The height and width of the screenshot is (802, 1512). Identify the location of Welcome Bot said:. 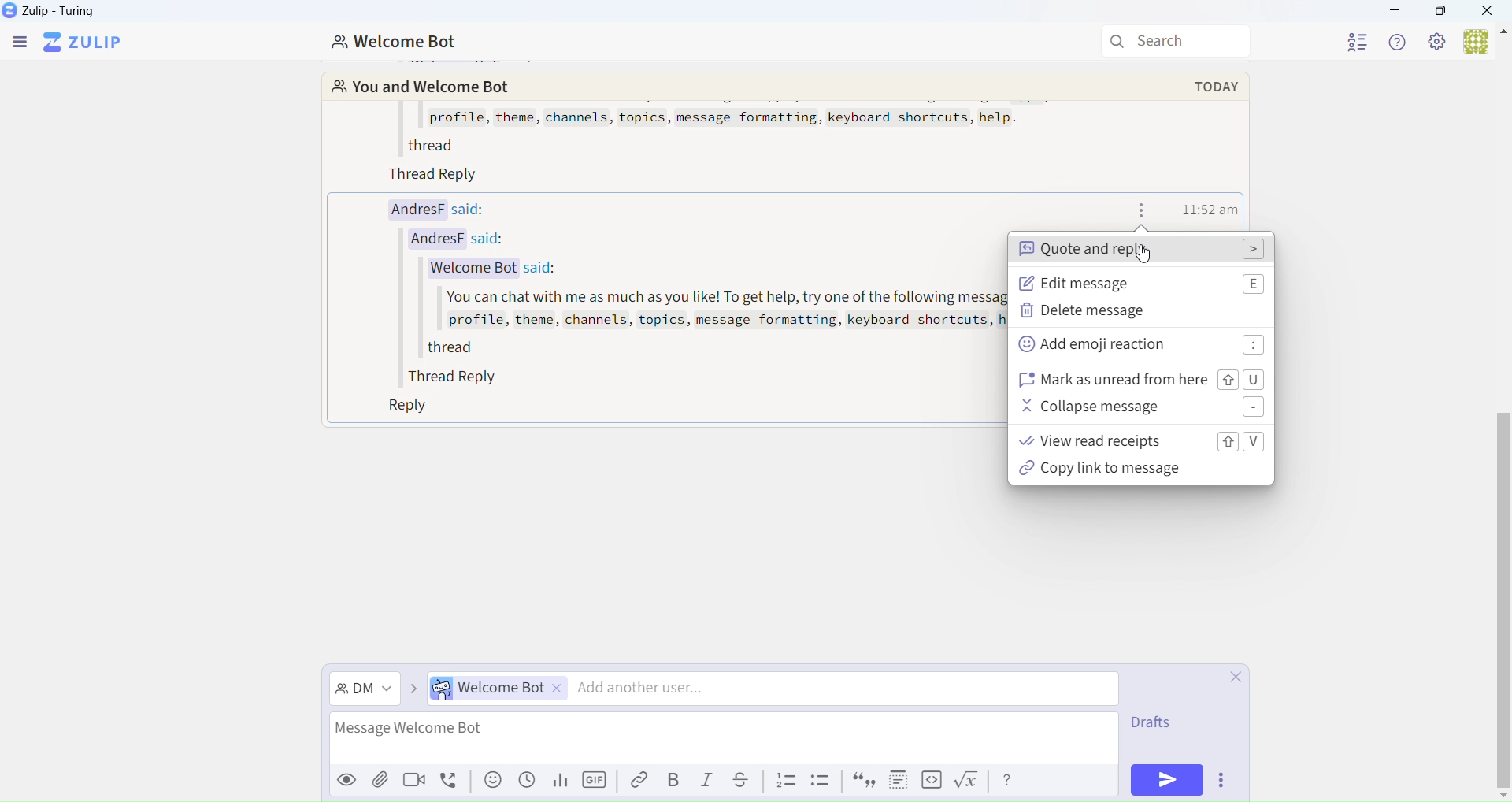
(489, 269).